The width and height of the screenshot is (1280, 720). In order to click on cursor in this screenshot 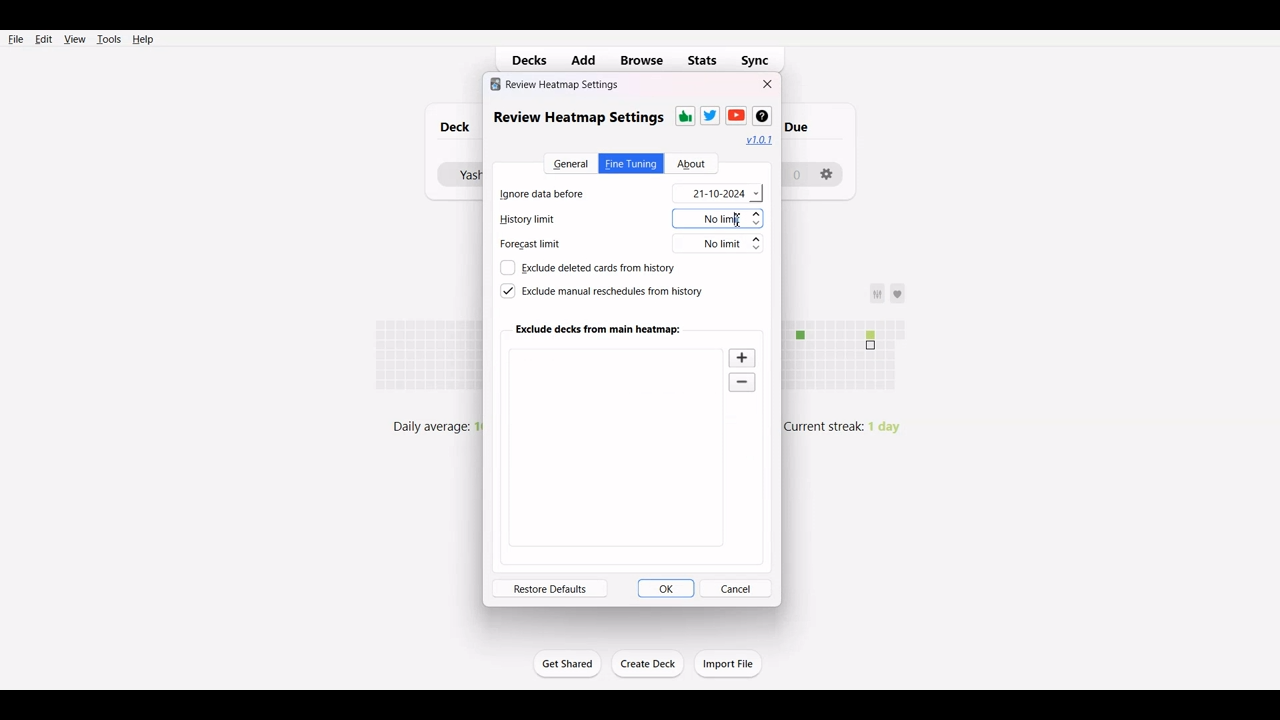, I will do `click(740, 220)`.